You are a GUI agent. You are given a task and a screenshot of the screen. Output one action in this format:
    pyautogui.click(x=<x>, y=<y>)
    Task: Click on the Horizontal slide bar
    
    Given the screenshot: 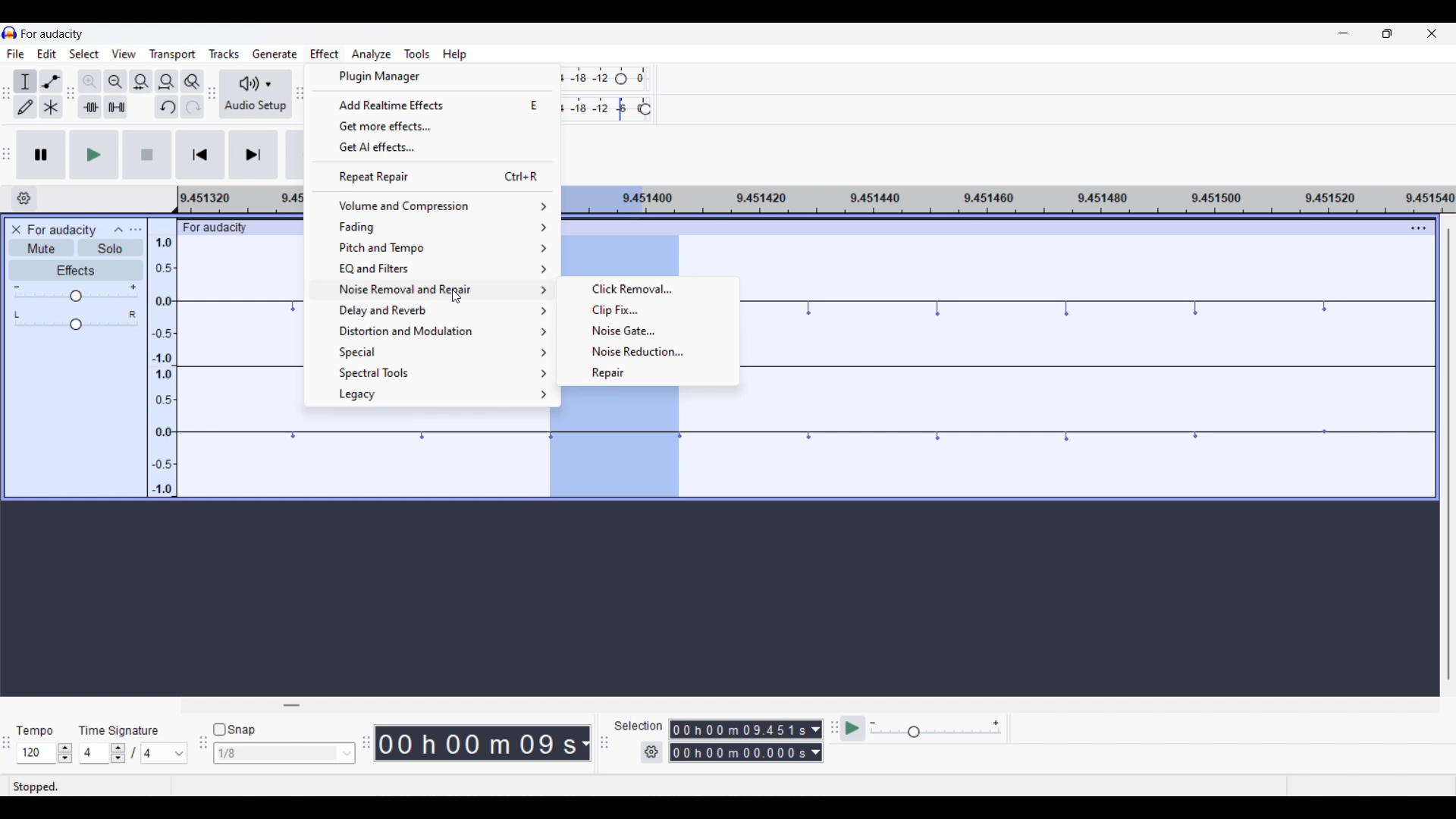 What is the action you would take?
    pyautogui.click(x=291, y=705)
    